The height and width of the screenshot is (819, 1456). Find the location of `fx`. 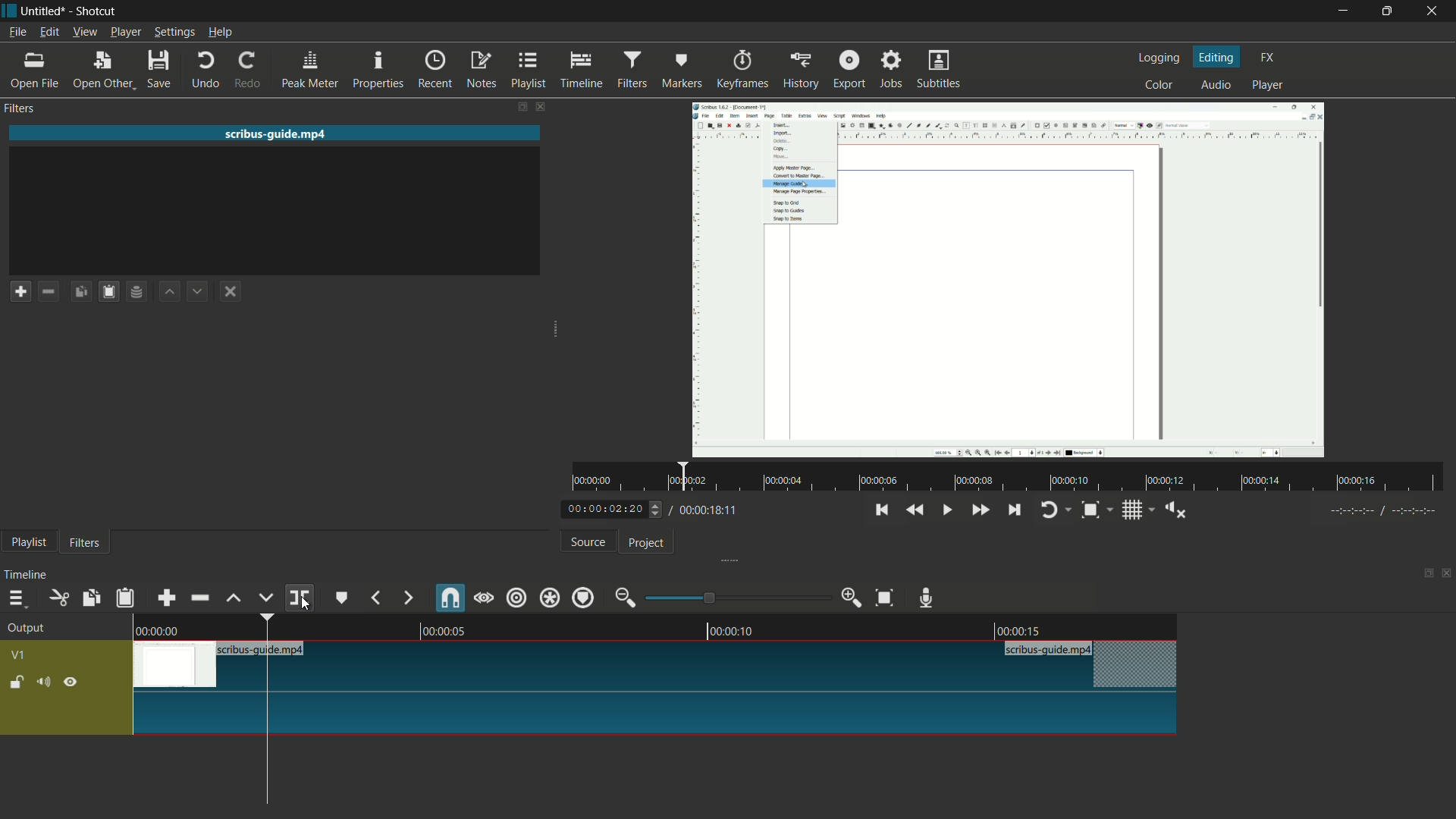

fx is located at coordinates (1267, 55).